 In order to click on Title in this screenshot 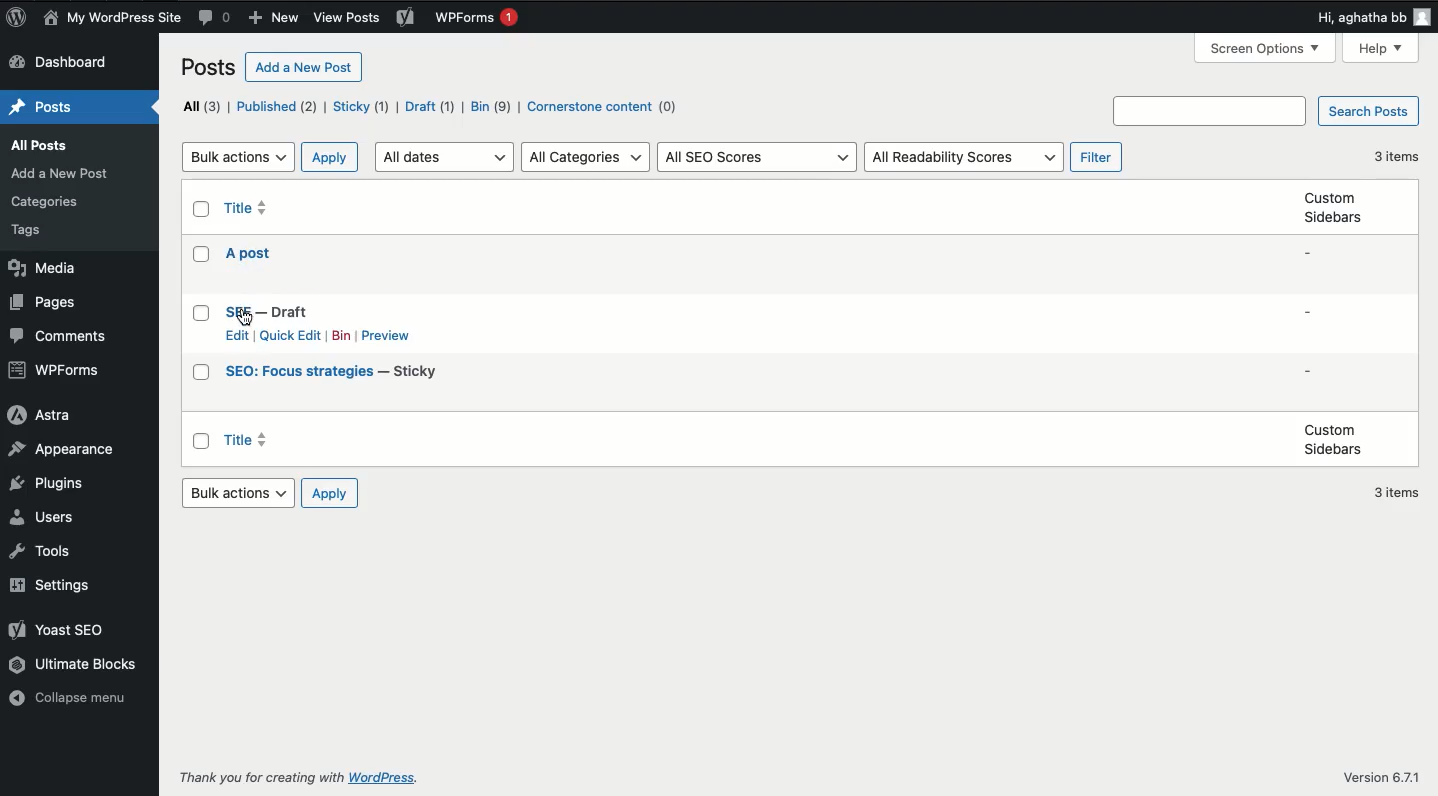, I will do `click(252, 208)`.